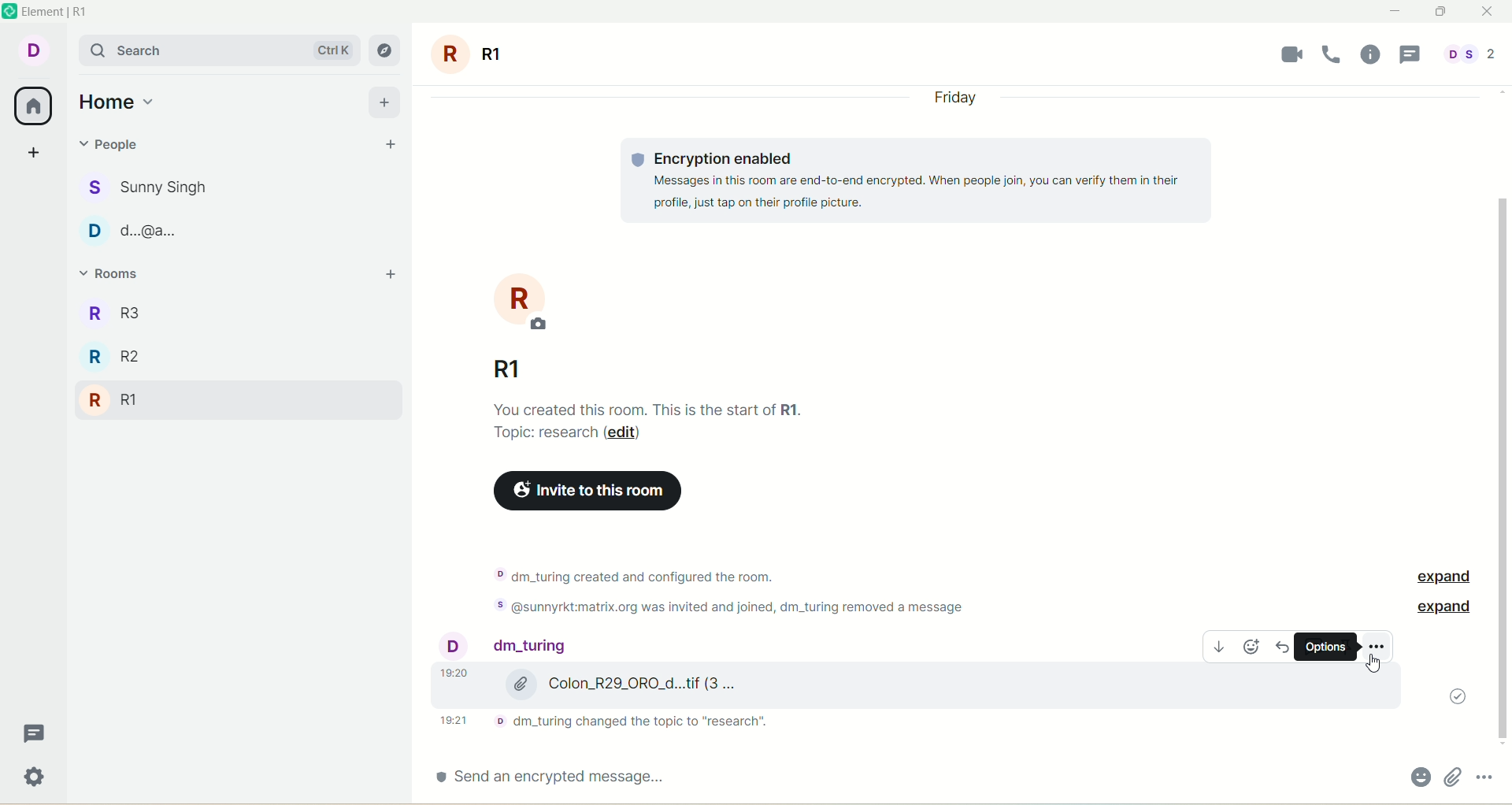 The height and width of the screenshot is (805, 1512). I want to click on reply, so click(1281, 646).